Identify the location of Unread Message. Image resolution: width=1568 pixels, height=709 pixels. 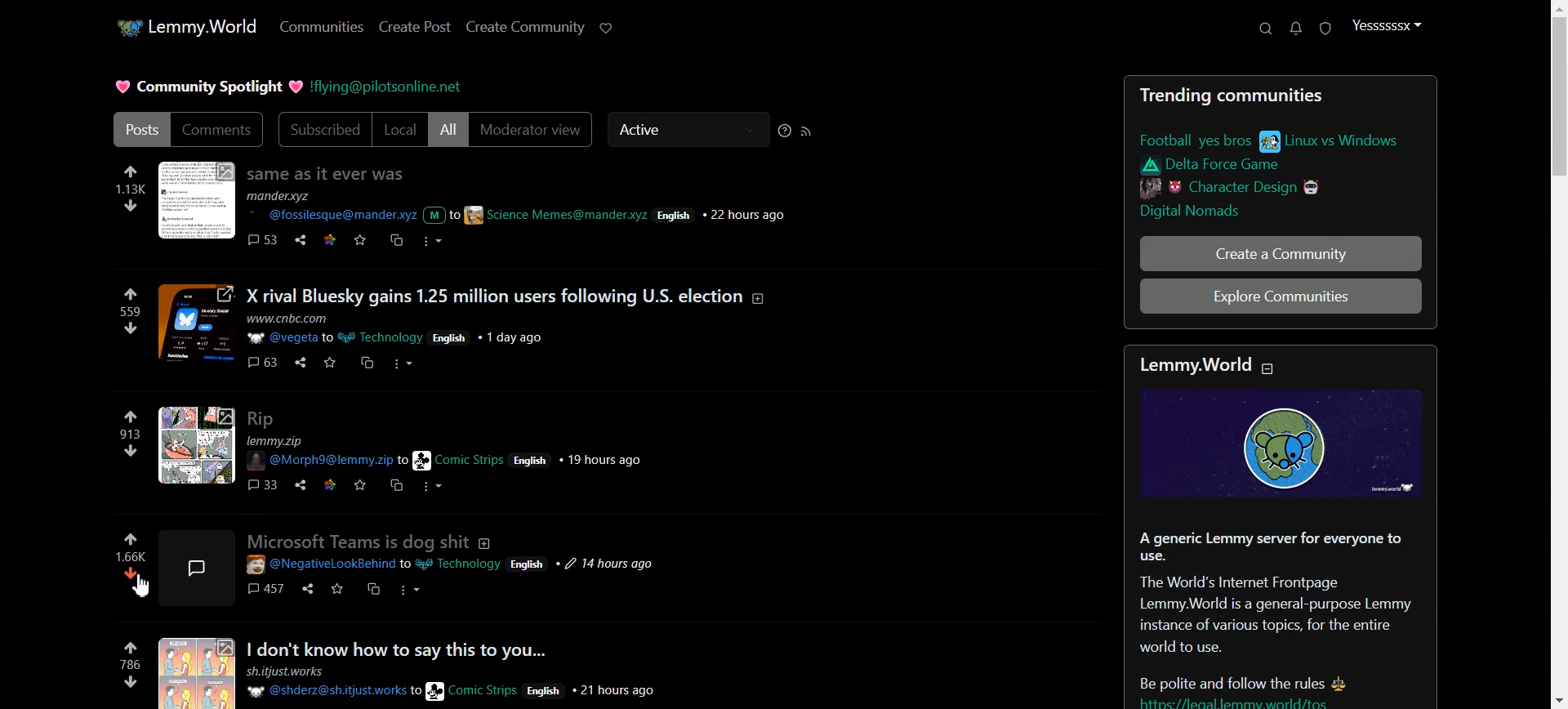
(1296, 29).